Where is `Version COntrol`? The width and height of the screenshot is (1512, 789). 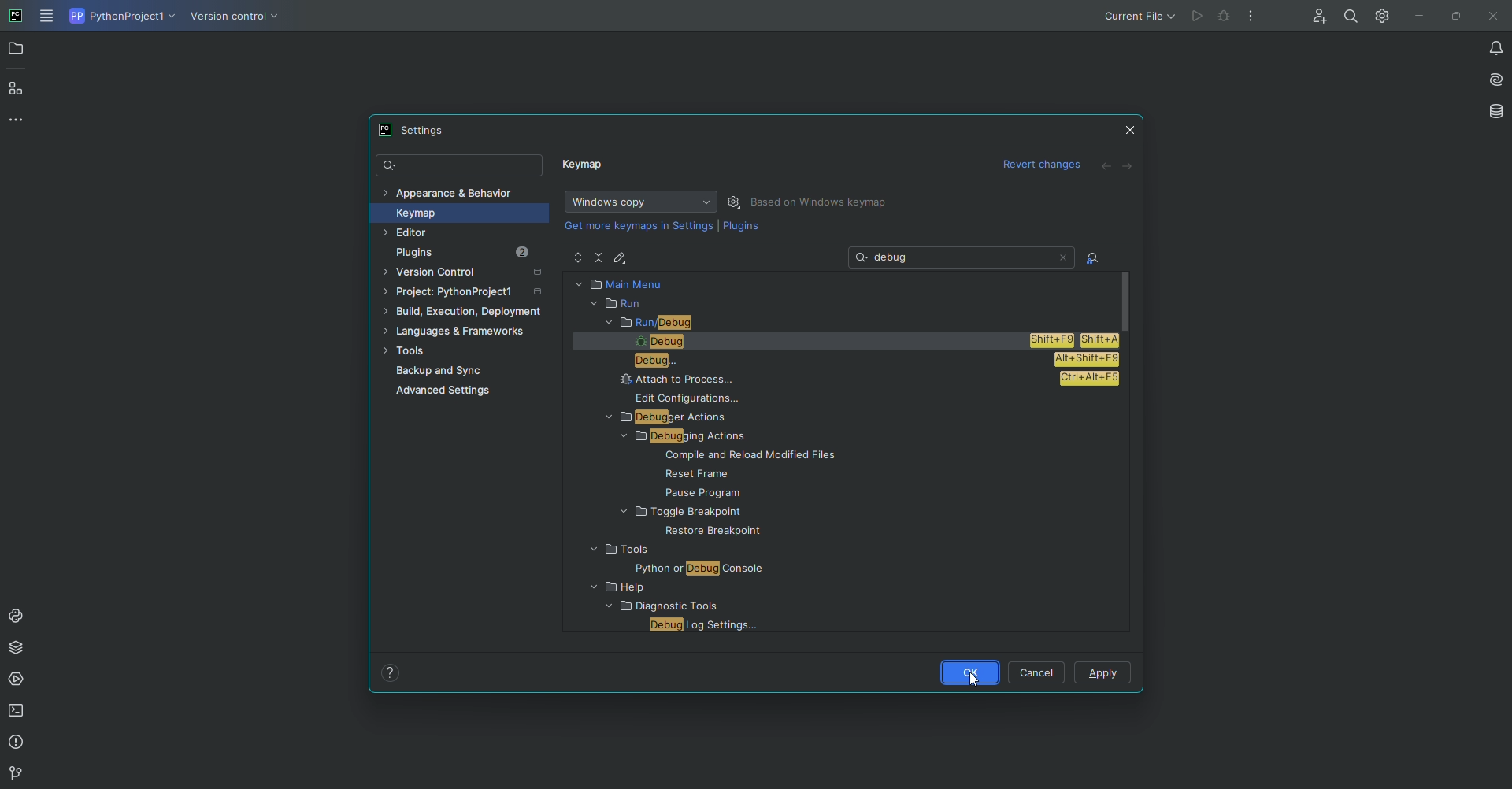
Version COntrol is located at coordinates (238, 19).